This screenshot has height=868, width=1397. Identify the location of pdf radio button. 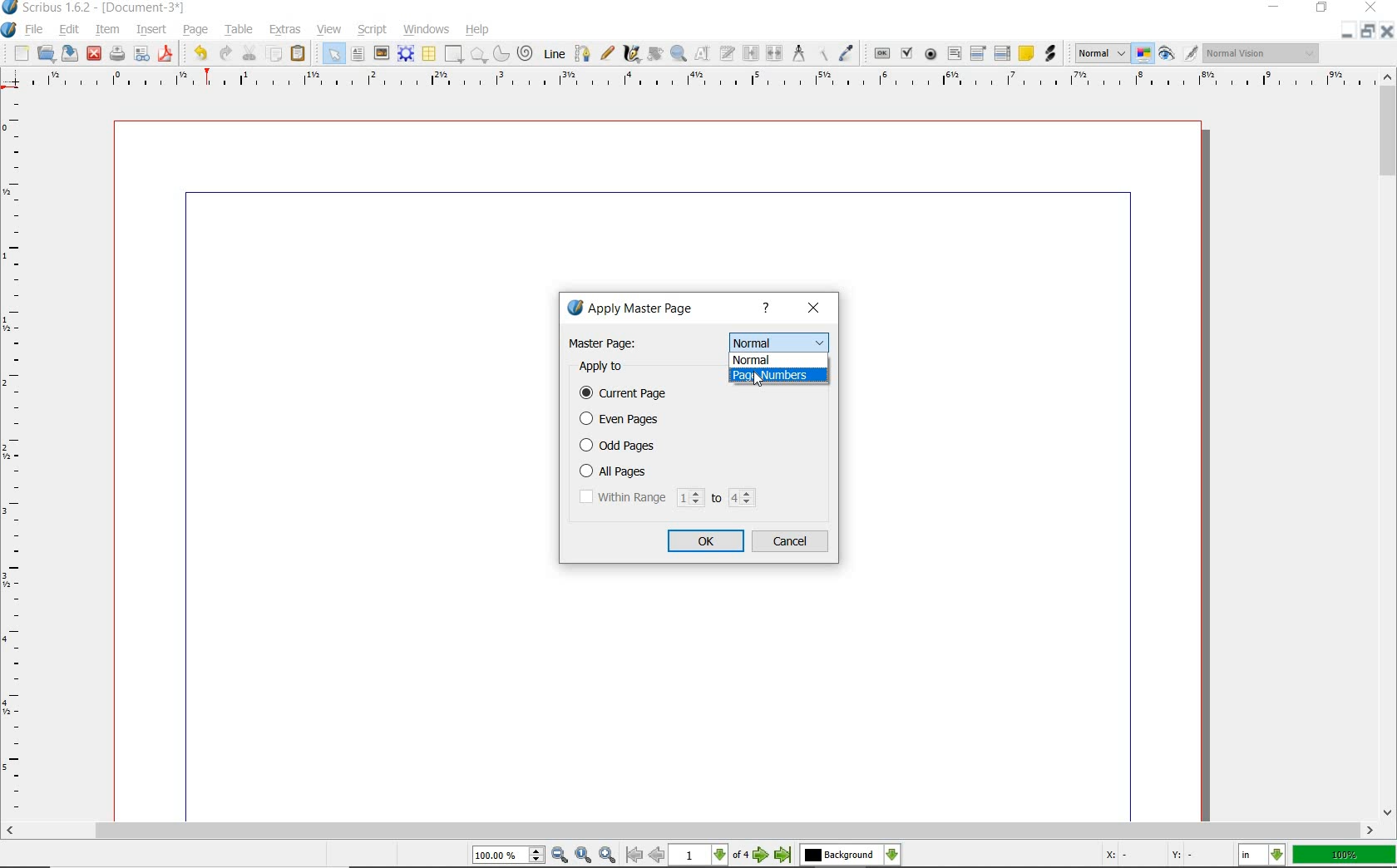
(931, 54).